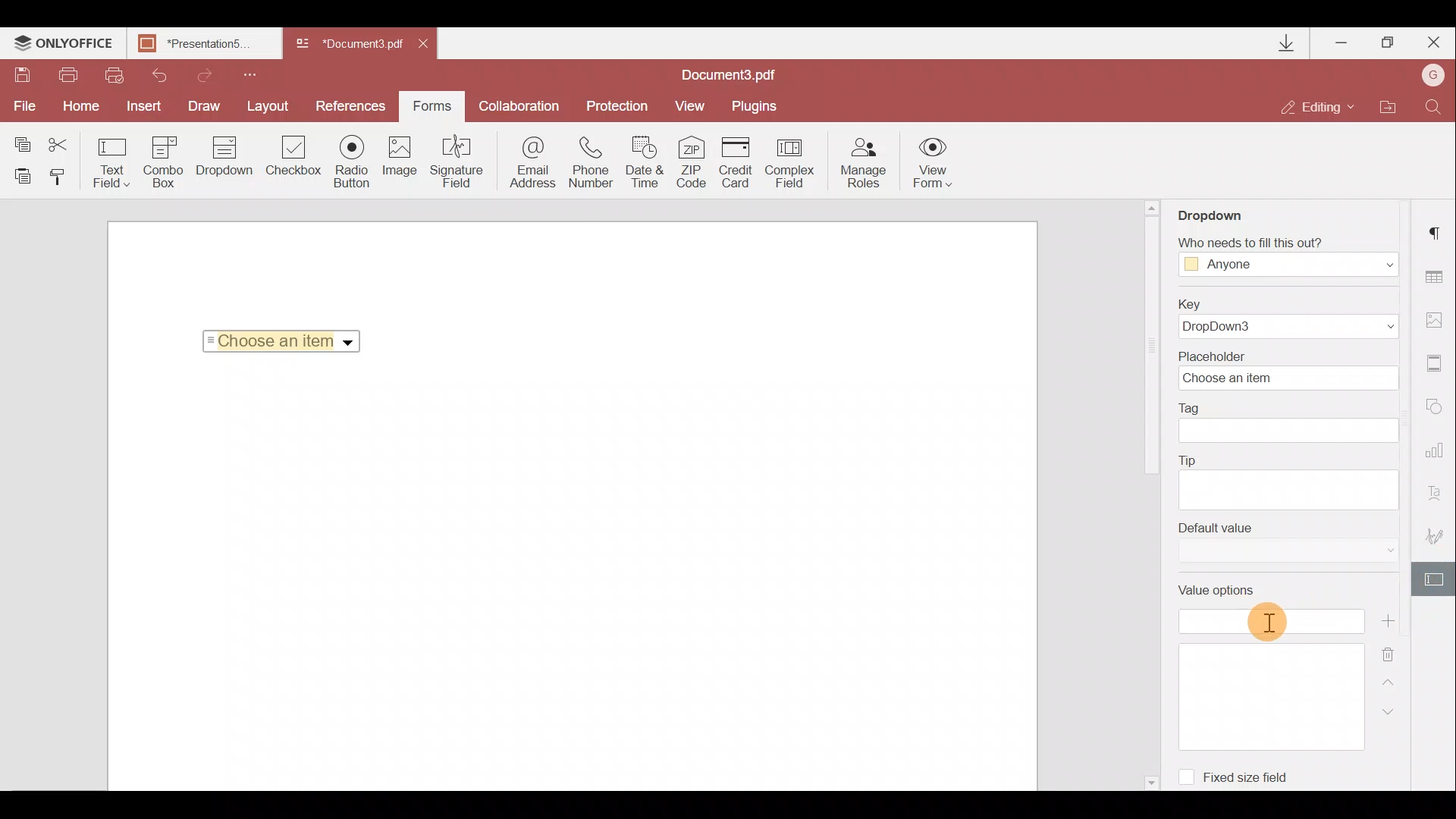 The image size is (1456, 819). Describe the element at coordinates (459, 165) in the screenshot. I see `Signature field` at that location.